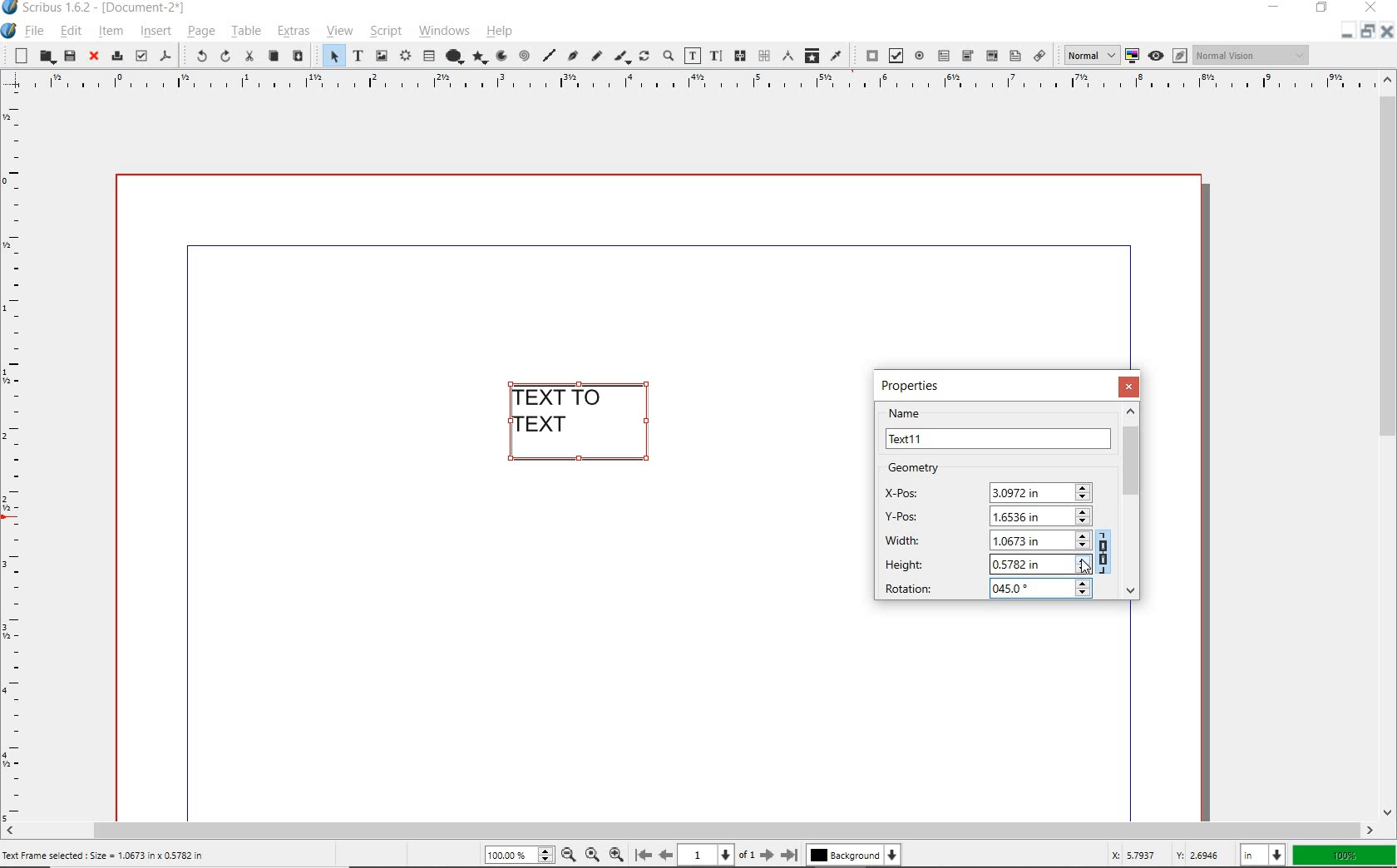 Image resolution: width=1397 pixels, height=868 pixels. What do you see at coordinates (17, 56) in the screenshot?
I see `new` at bounding box center [17, 56].